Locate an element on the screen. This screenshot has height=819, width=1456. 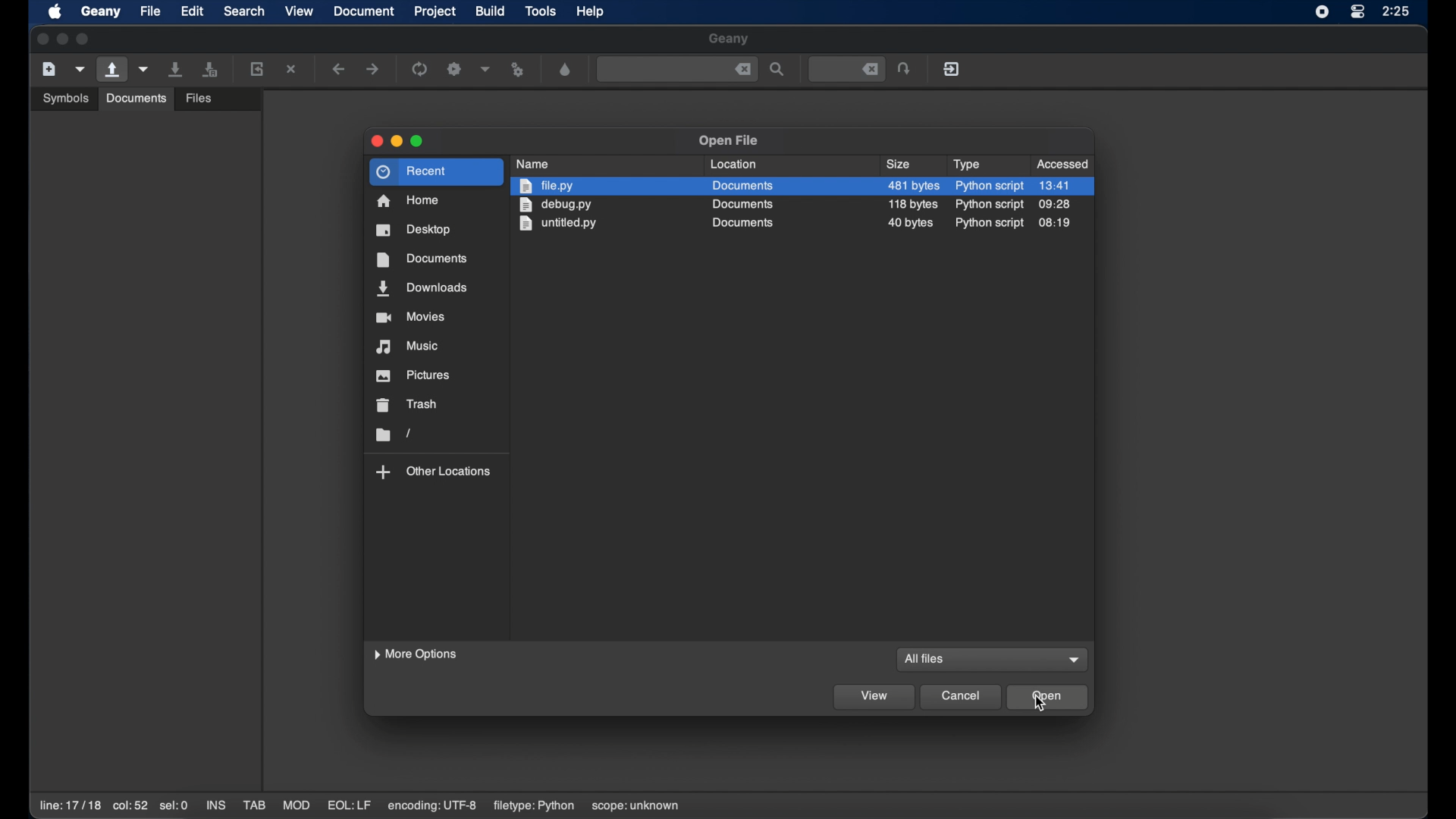
08:19 is located at coordinates (1055, 223).